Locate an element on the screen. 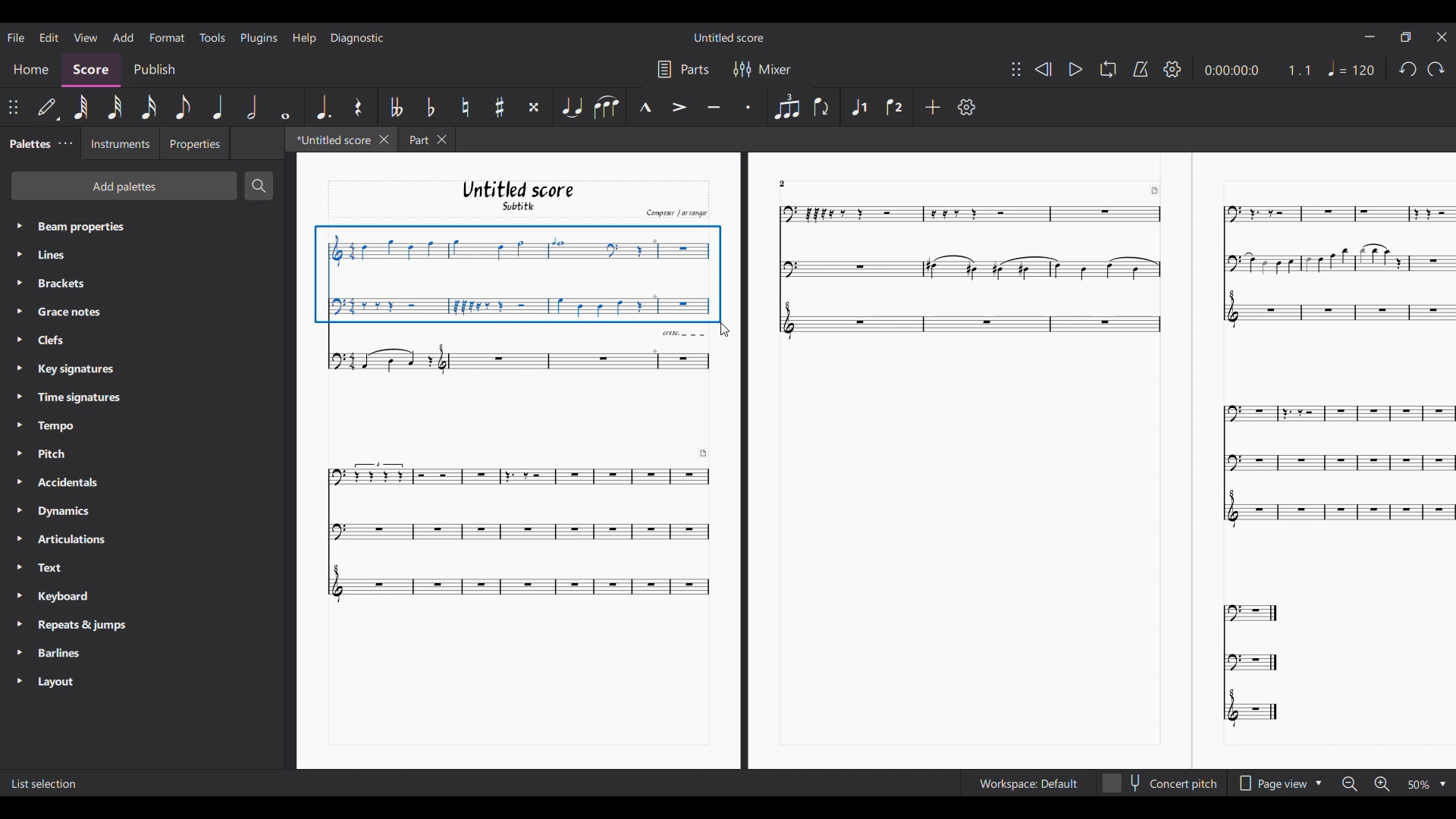 The height and width of the screenshot is (819, 1456).  is located at coordinates (18, 654).